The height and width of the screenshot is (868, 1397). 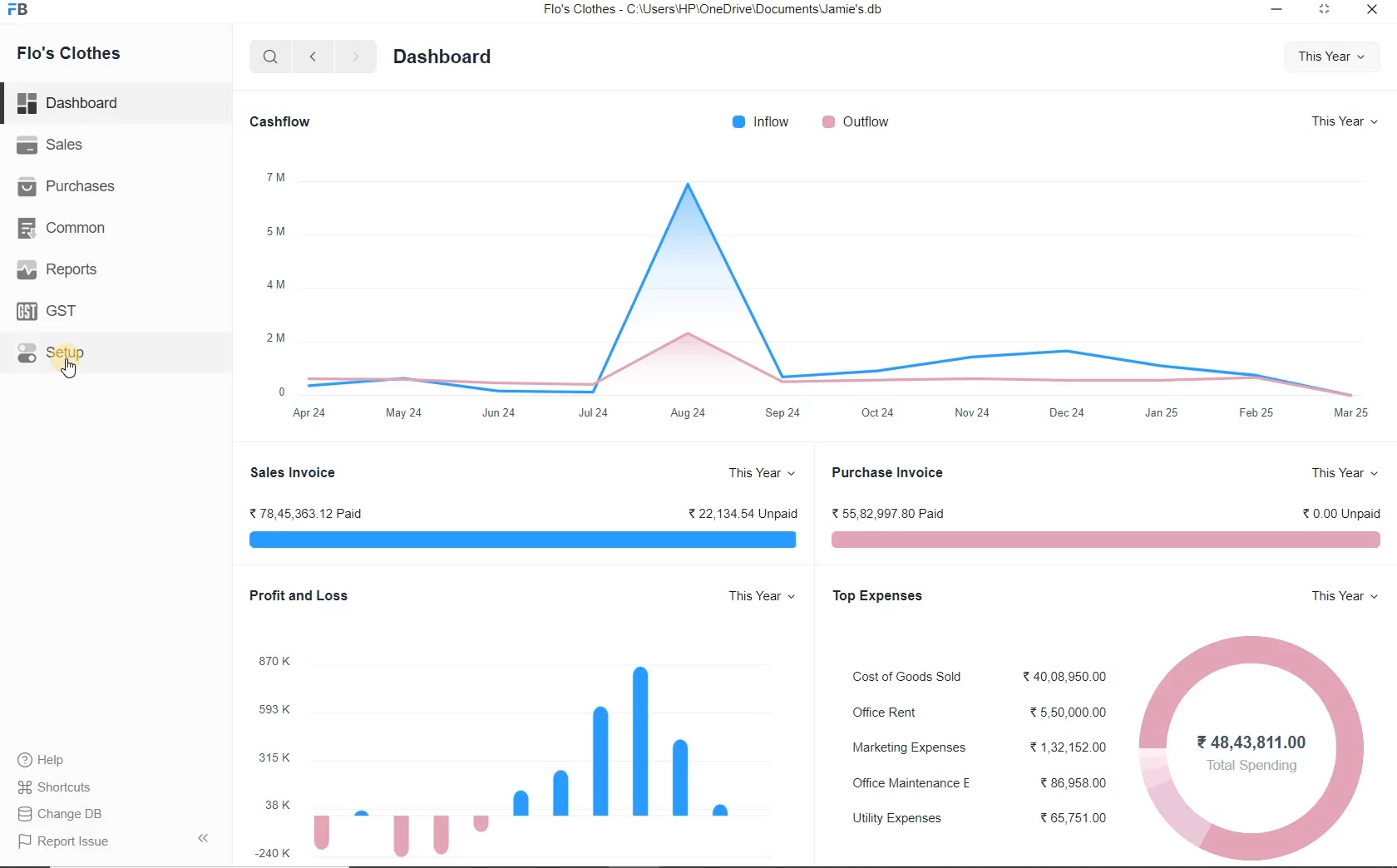 I want to click on This Year v, so click(x=1344, y=120).